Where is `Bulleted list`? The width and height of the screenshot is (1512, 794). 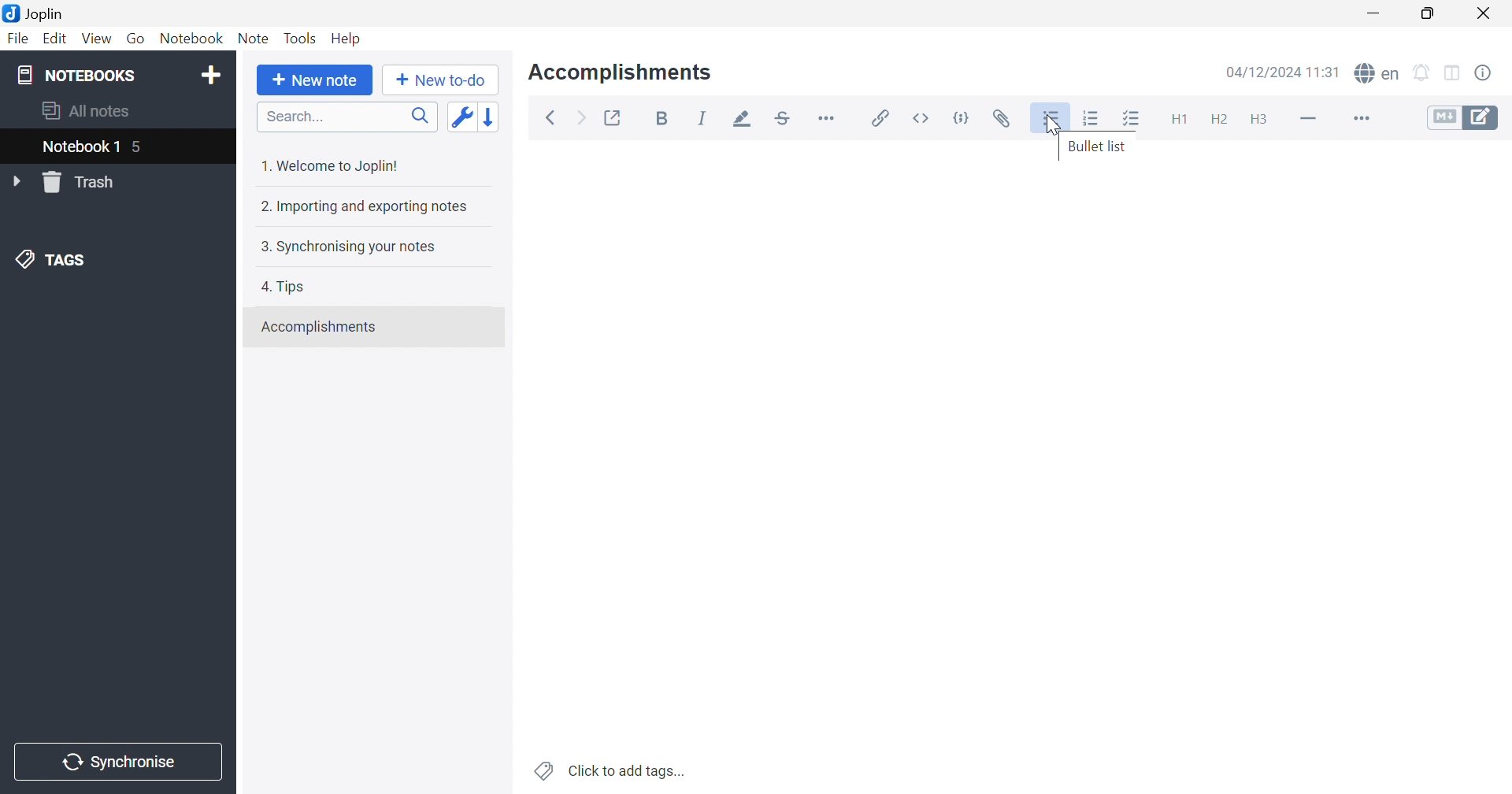
Bulleted list is located at coordinates (1052, 121).